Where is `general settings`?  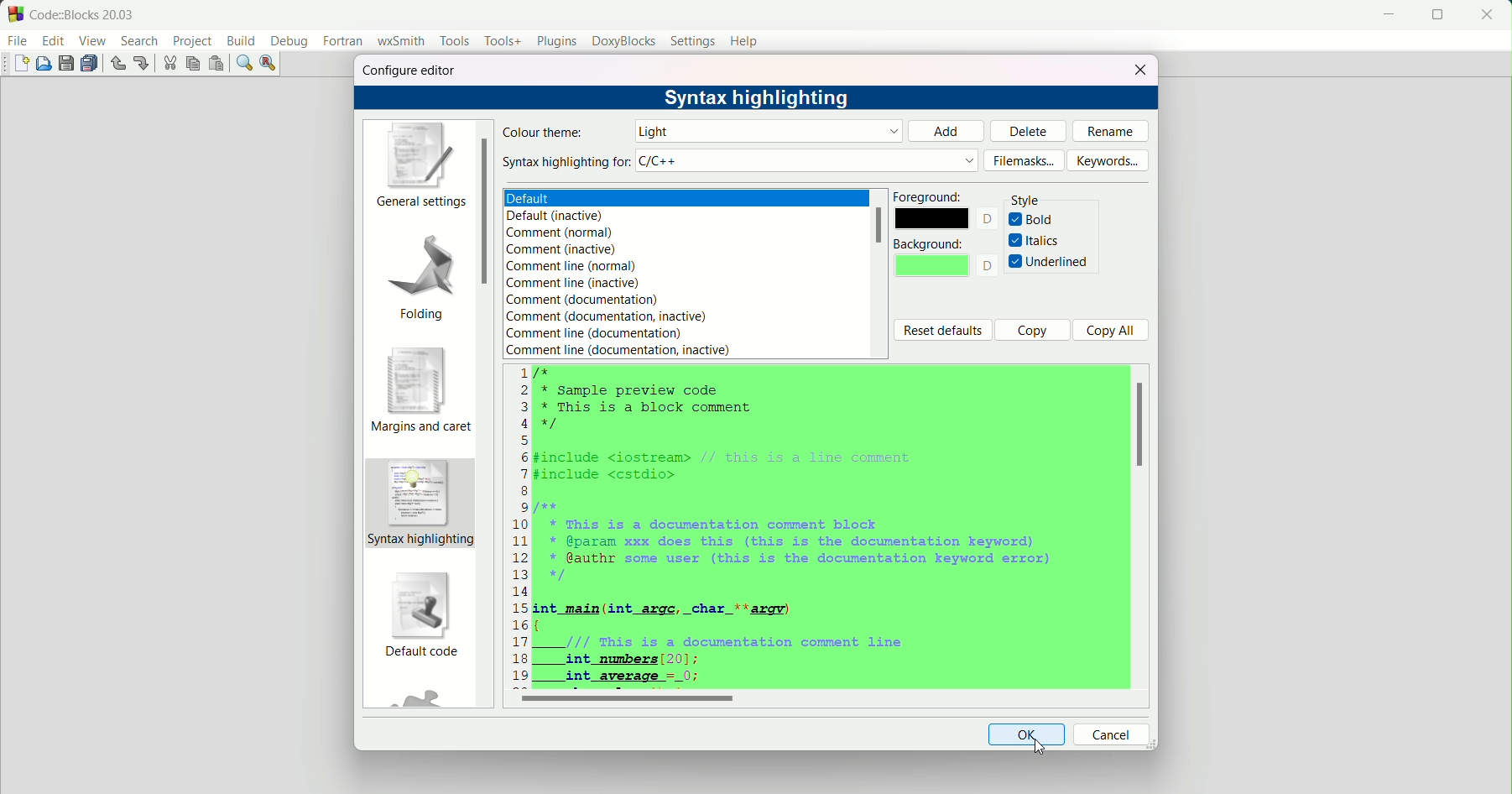
general settings is located at coordinates (418, 165).